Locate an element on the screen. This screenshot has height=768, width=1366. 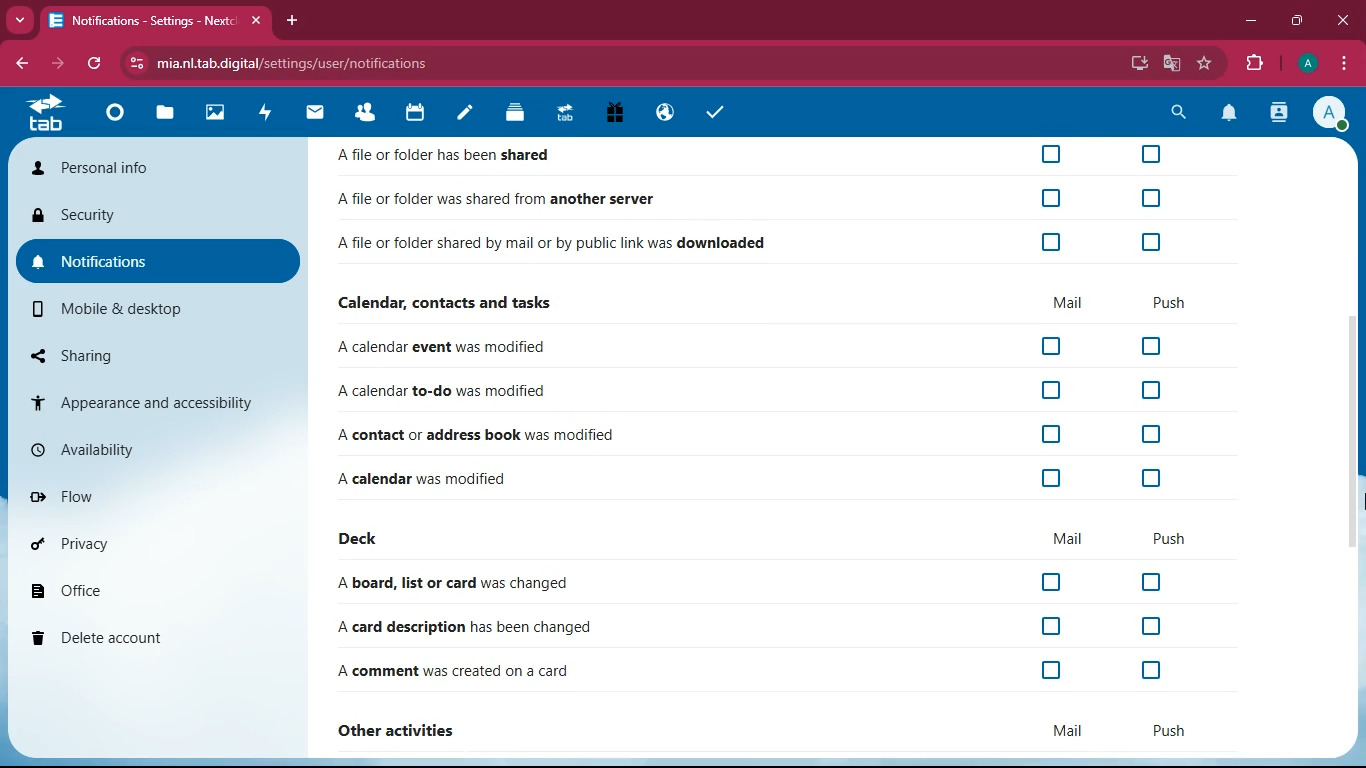
mail is located at coordinates (1065, 736).